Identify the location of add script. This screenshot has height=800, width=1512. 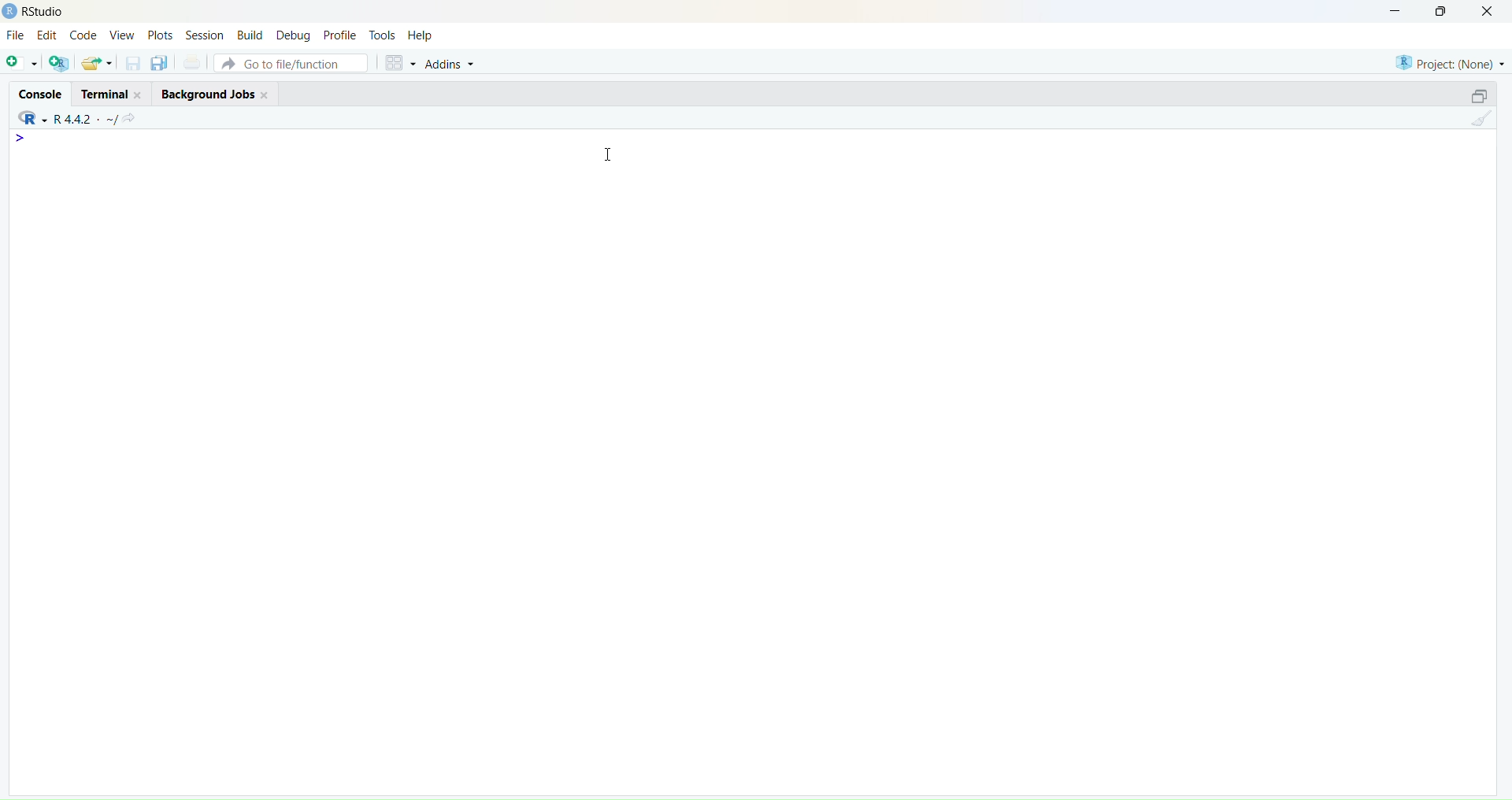
(20, 64).